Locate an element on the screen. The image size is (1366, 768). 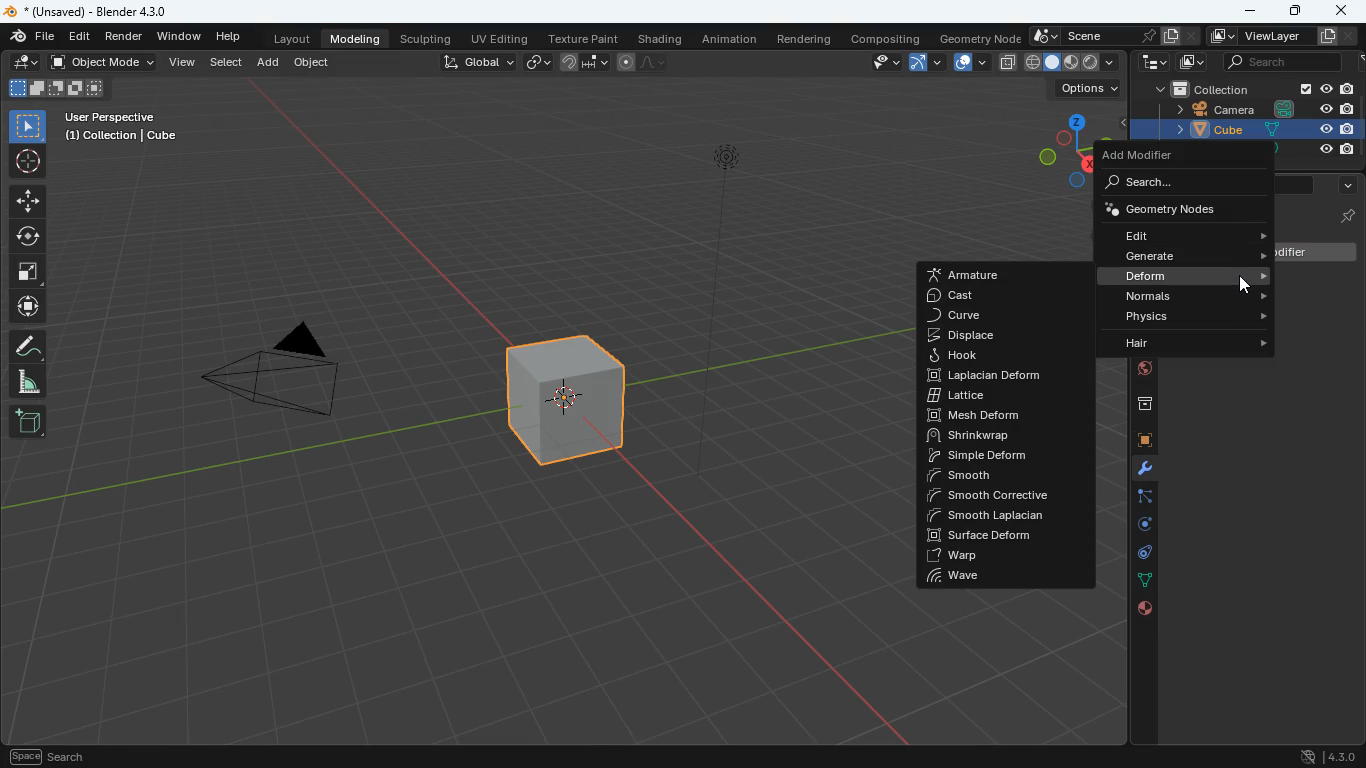
lattice is located at coordinates (1001, 395).